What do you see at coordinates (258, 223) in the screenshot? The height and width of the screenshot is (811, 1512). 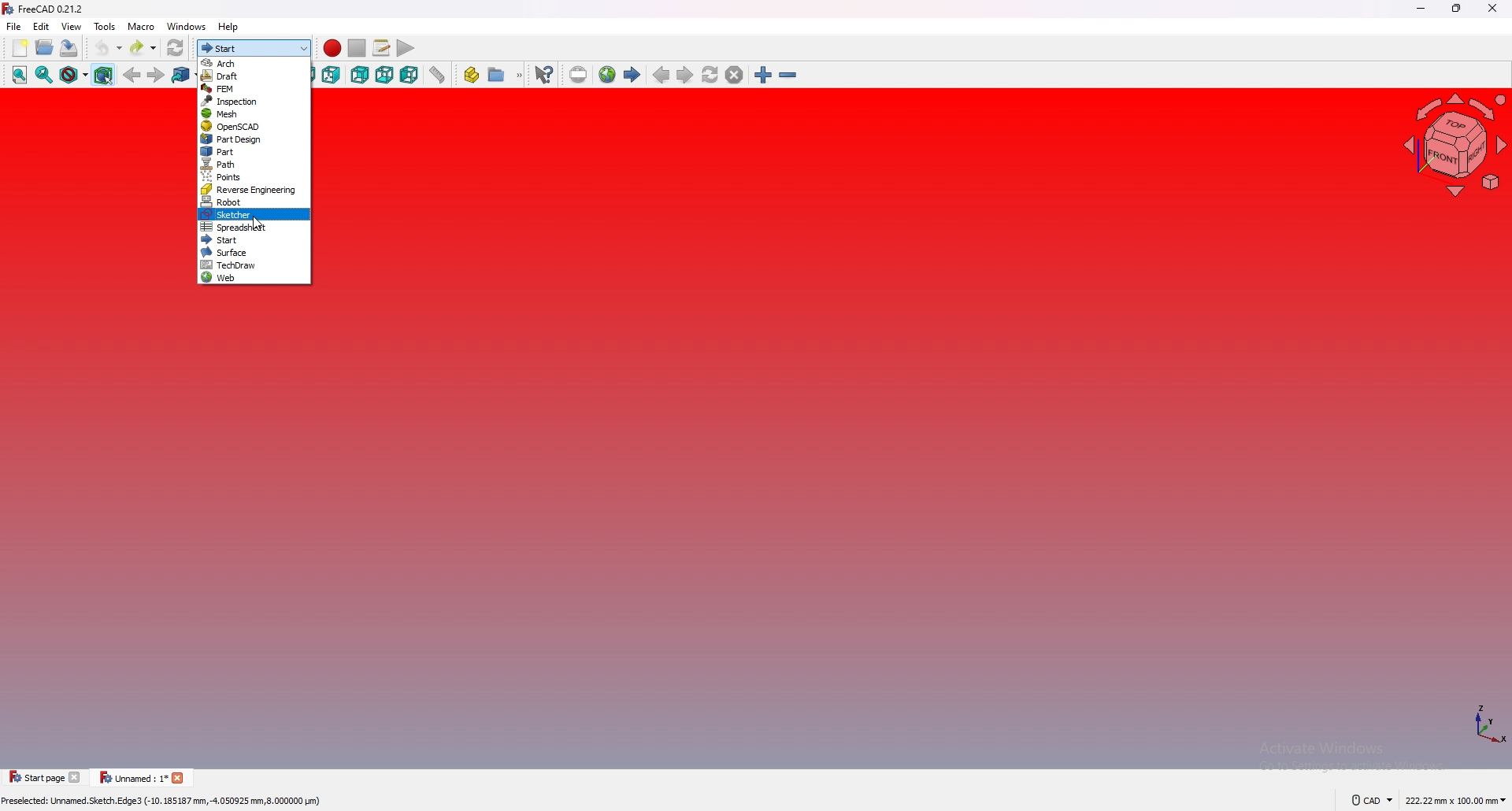 I see `cursor` at bounding box center [258, 223].